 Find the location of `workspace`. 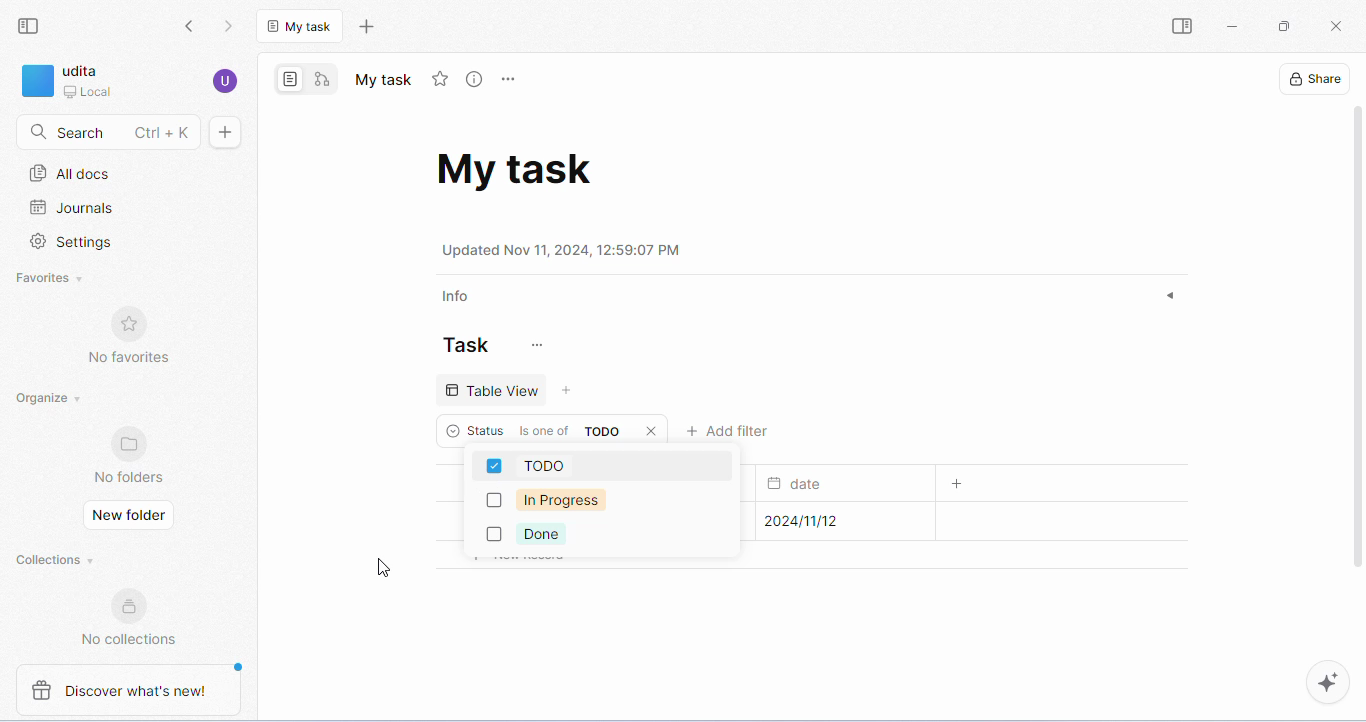

workspace is located at coordinates (67, 83).